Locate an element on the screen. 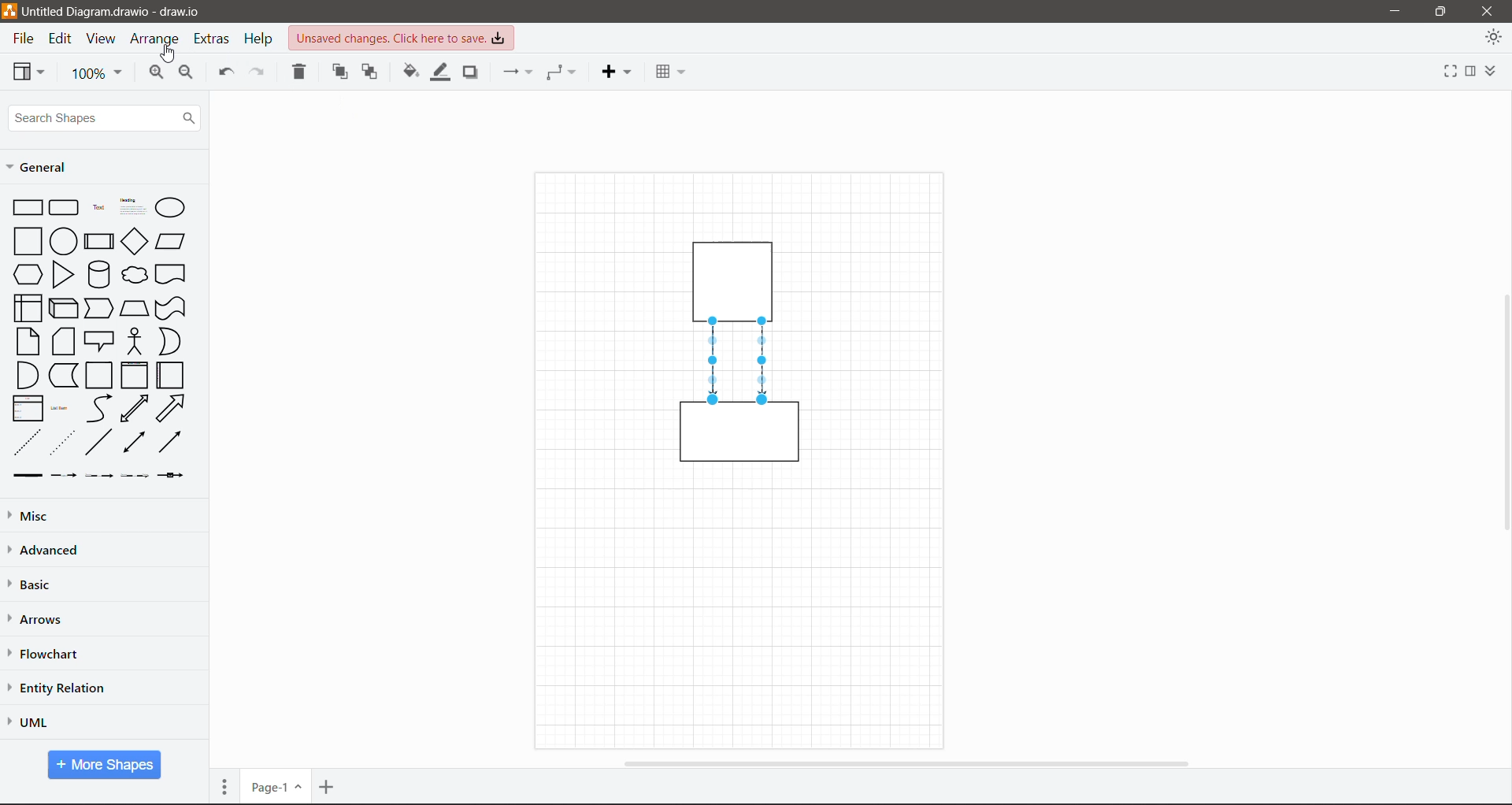  Diamond is located at coordinates (134, 241).